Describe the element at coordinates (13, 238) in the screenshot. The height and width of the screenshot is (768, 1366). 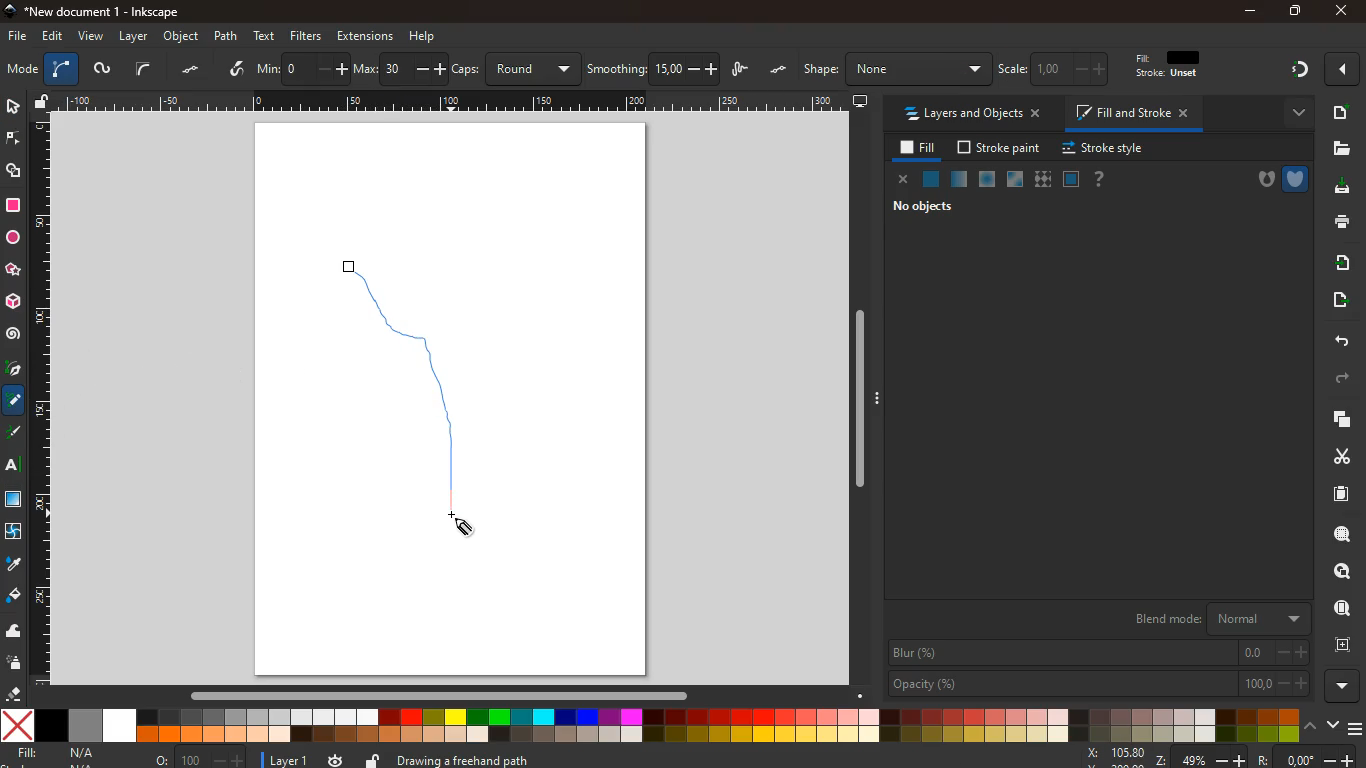
I see `circle` at that location.